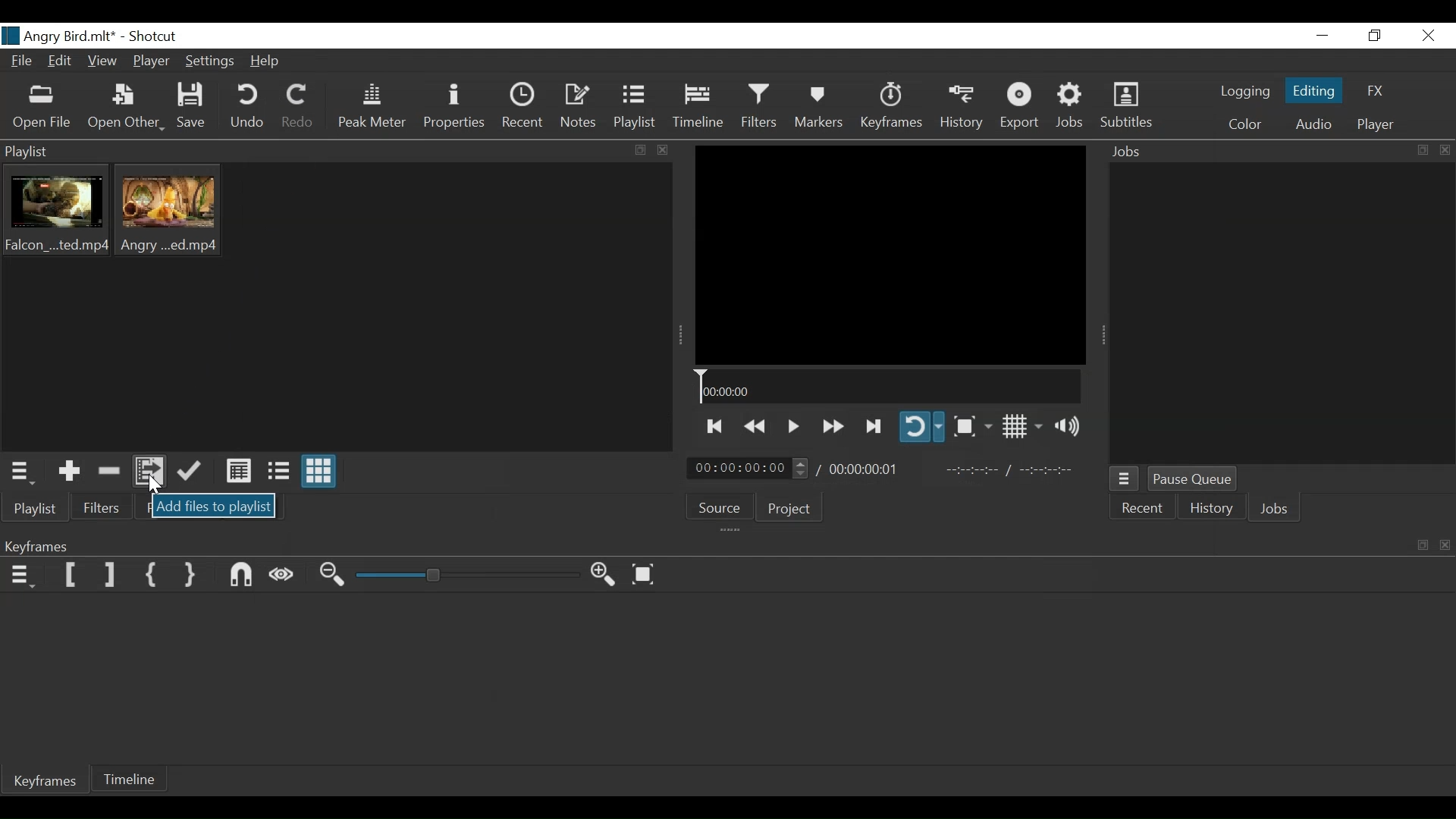 This screenshot has height=819, width=1456. I want to click on Peak Meter, so click(372, 108).